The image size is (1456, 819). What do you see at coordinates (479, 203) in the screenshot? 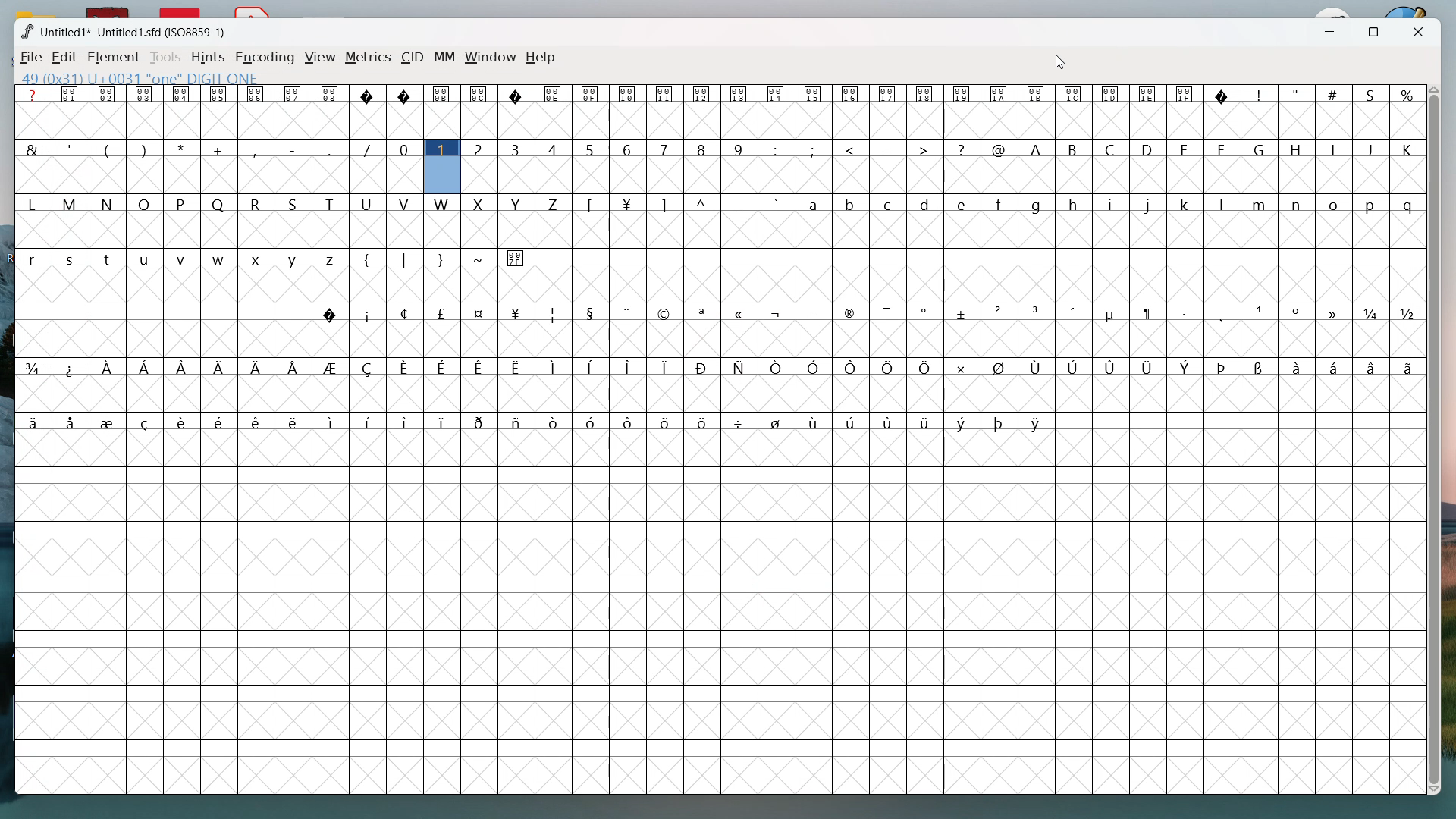
I see `X` at bounding box center [479, 203].